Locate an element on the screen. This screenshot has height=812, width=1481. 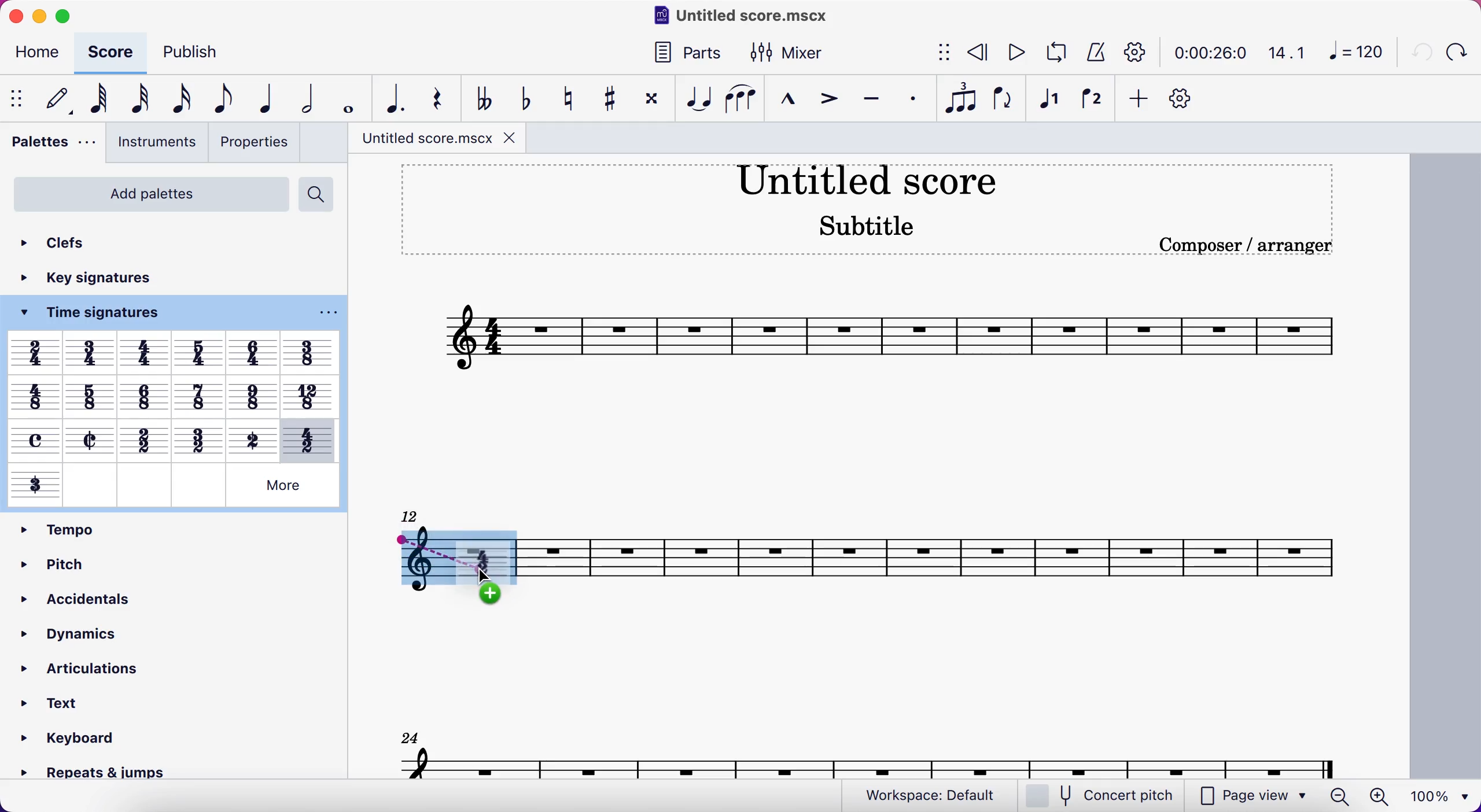
 is located at coordinates (35, 352).